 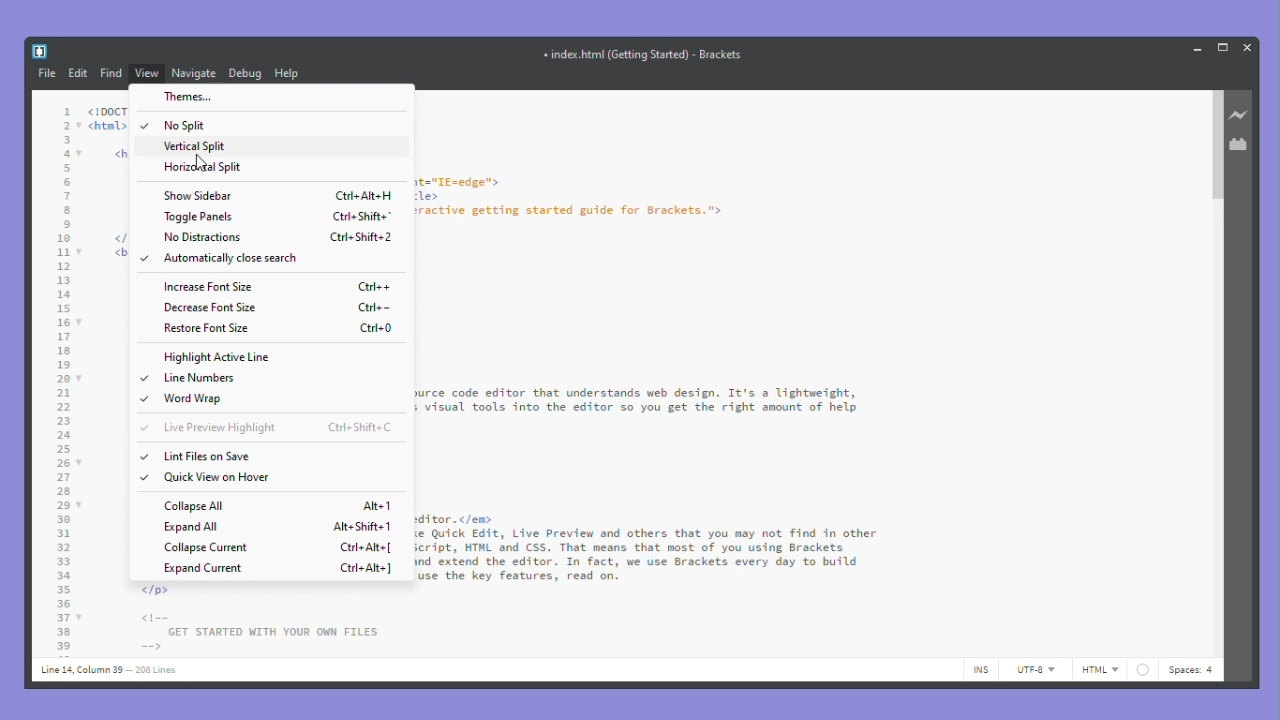 What do you see at coordinates (279, 569) in the screenshot?
I see `Expand current` at bounding box center [279, 569].